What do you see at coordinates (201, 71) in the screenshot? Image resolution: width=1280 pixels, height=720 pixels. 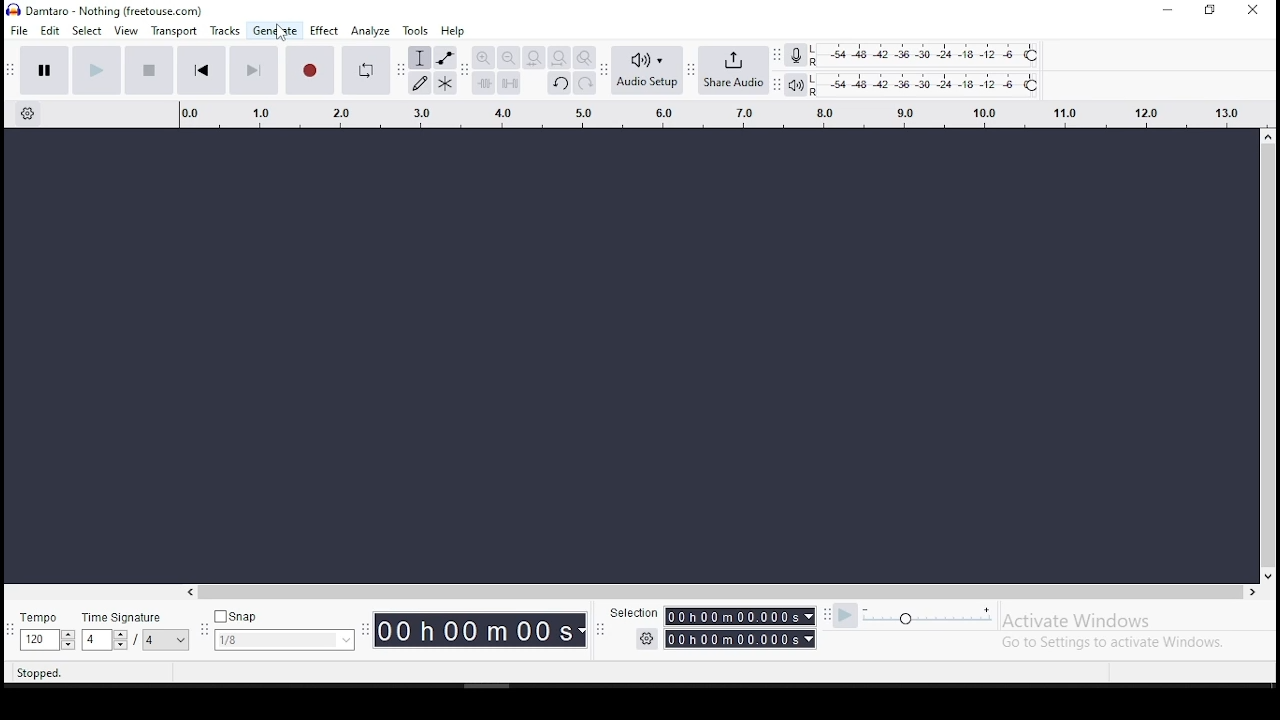 I see `skip to start` at bounding box center [201, 71].